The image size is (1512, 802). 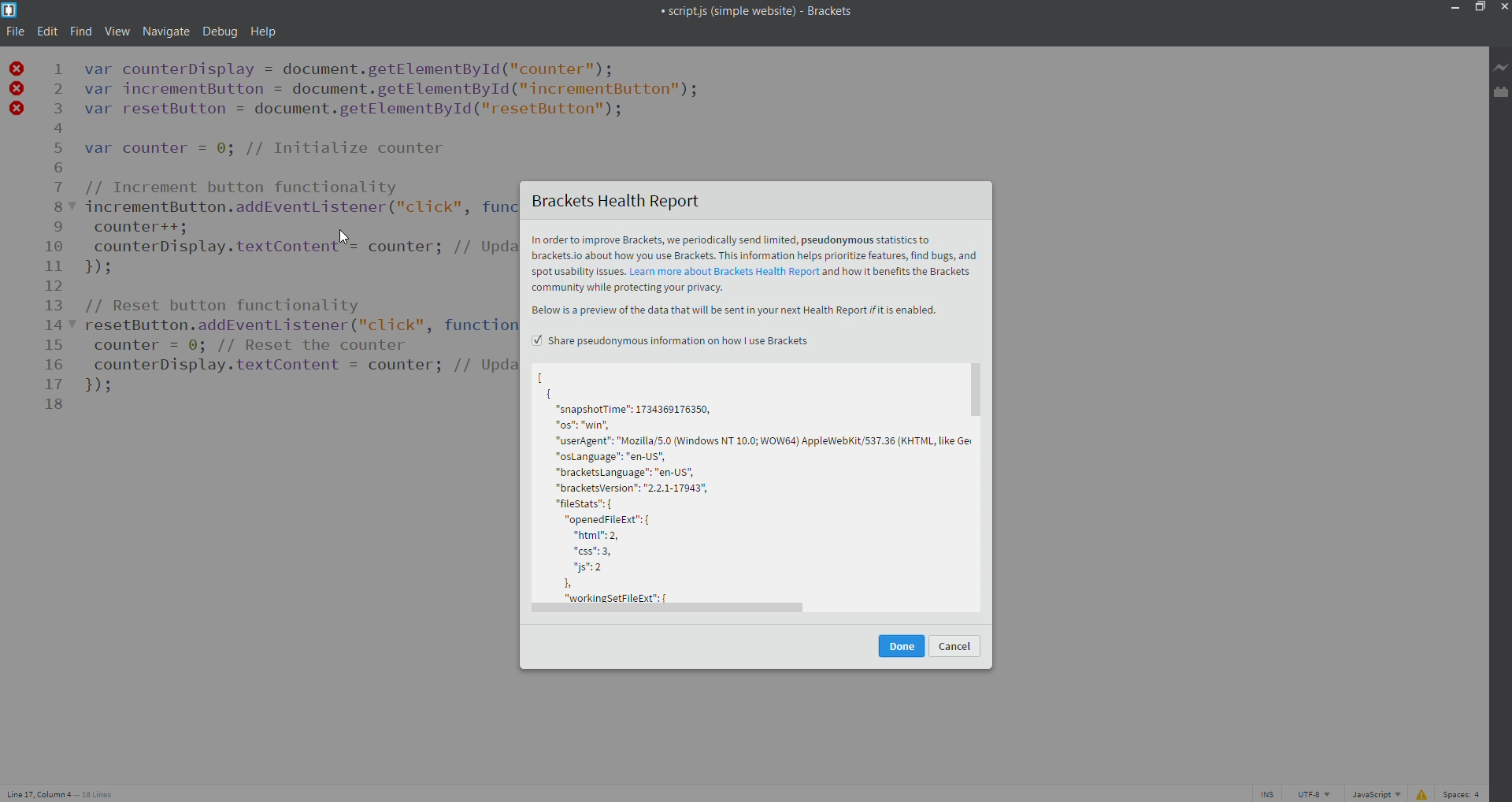 I want to click on show errors, so click(x=1421, y=793).